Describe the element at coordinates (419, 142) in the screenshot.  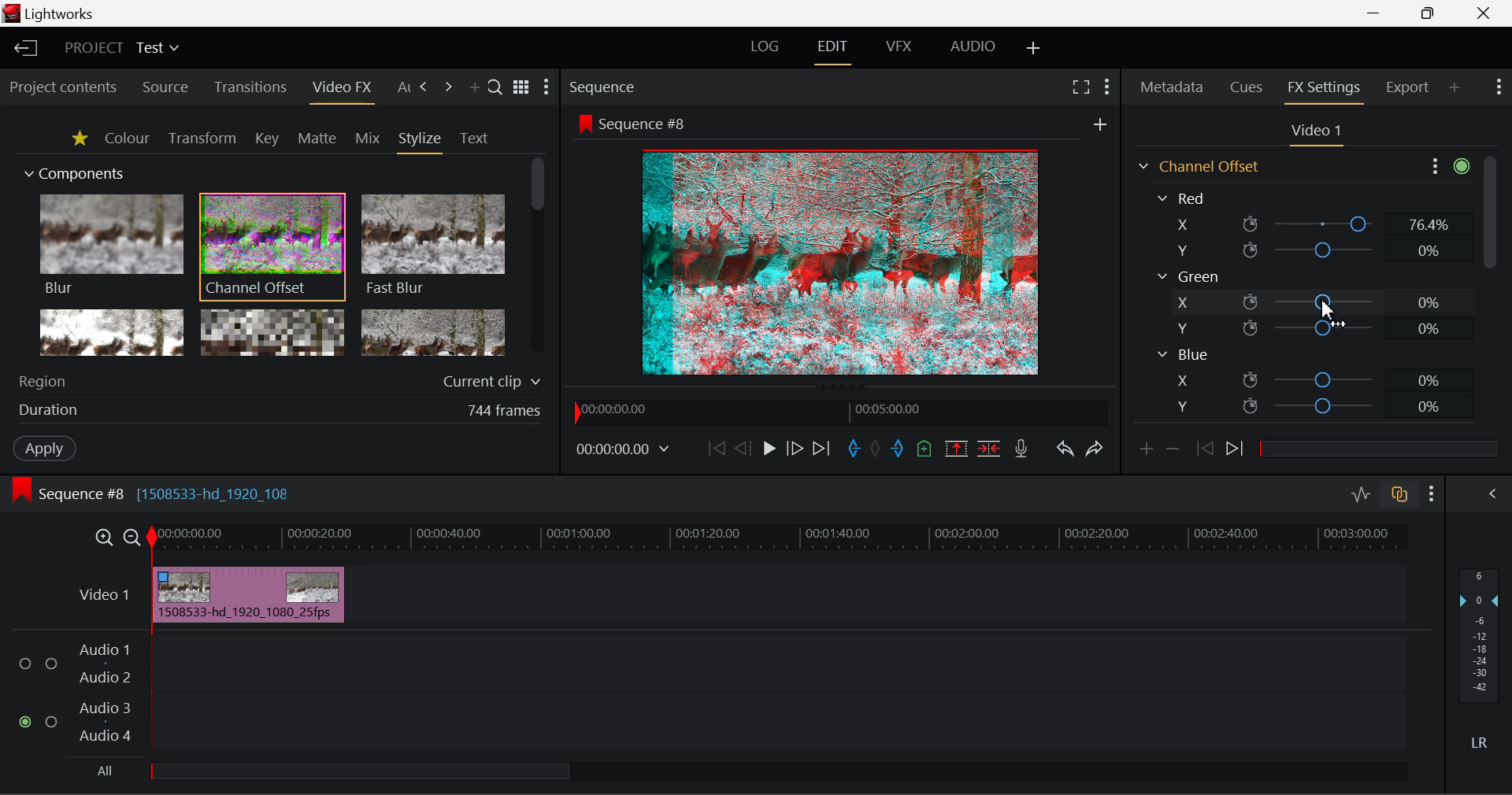
I see `Stylize Tab Open` at that location.